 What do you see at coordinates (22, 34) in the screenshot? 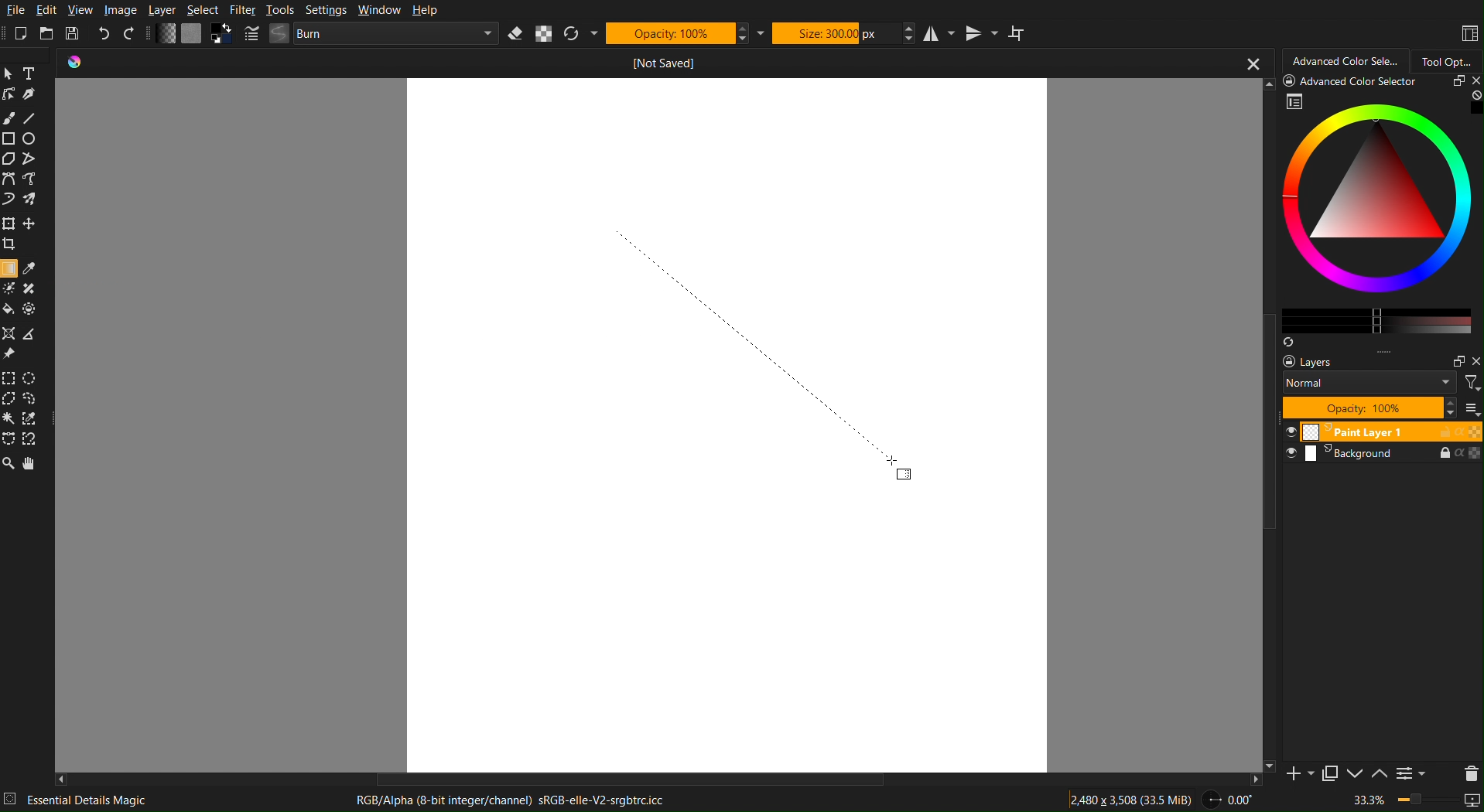
I see `New` at bounding box center [22, 34].